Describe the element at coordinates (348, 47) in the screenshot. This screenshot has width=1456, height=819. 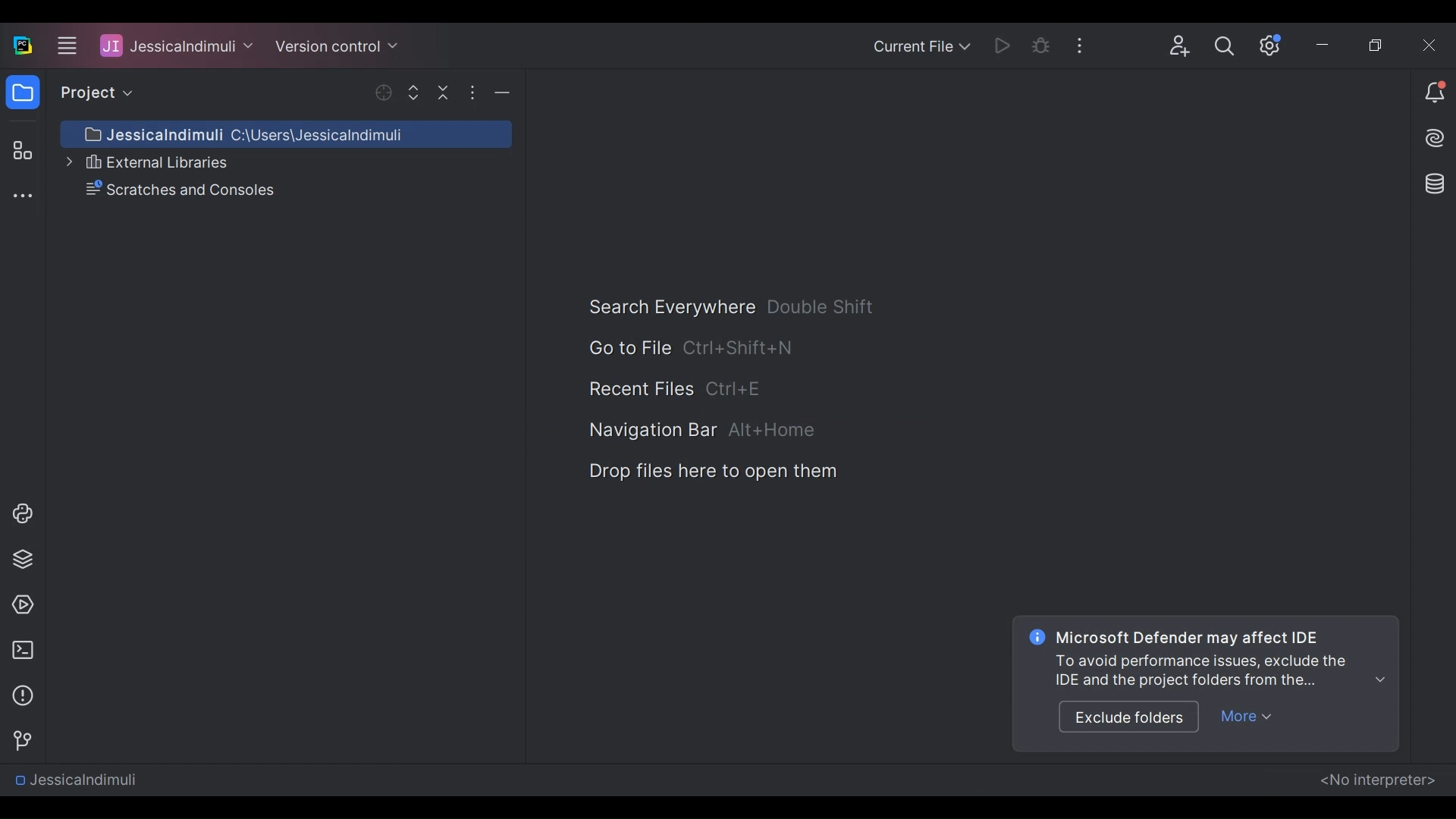
I see `Project Name` at that location.